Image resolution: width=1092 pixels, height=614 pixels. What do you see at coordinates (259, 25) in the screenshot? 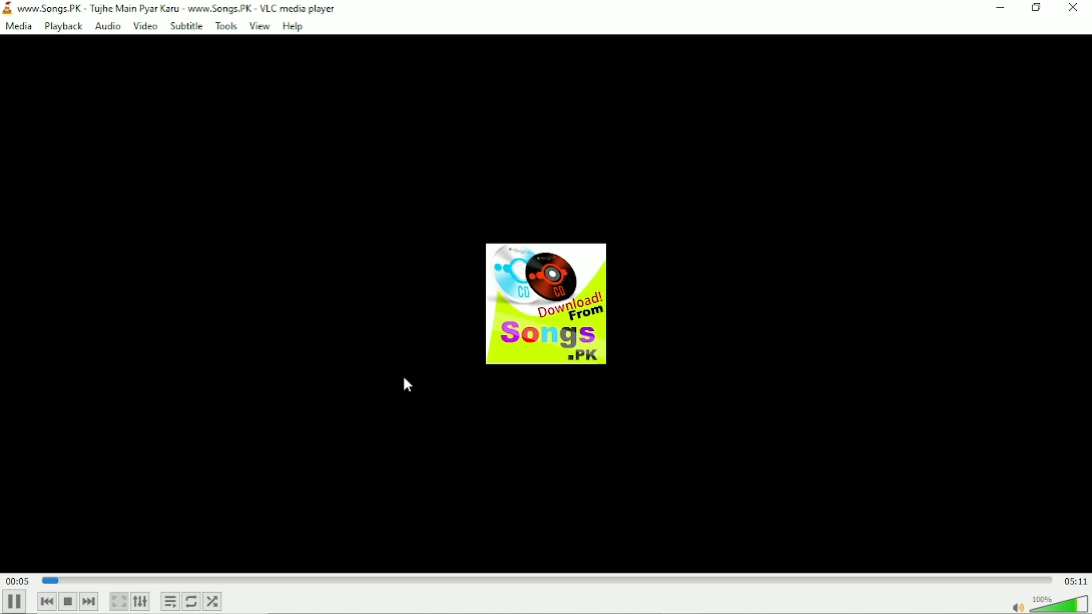
I see `View` at bounding box center [259, 25].